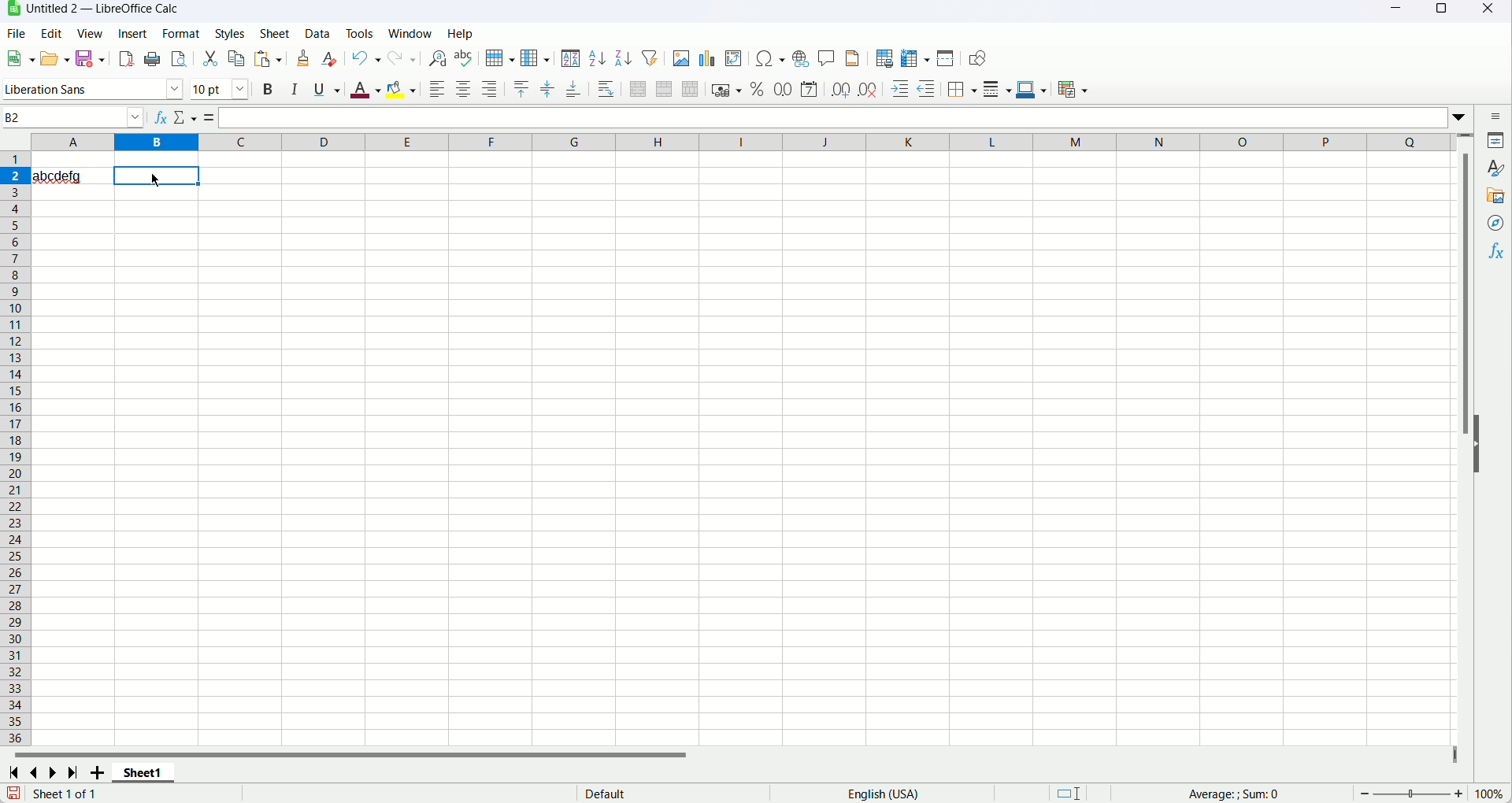 Image resolution: width=1512 pixels, height=803 pixels. I want to click on new, so click(22, 57).